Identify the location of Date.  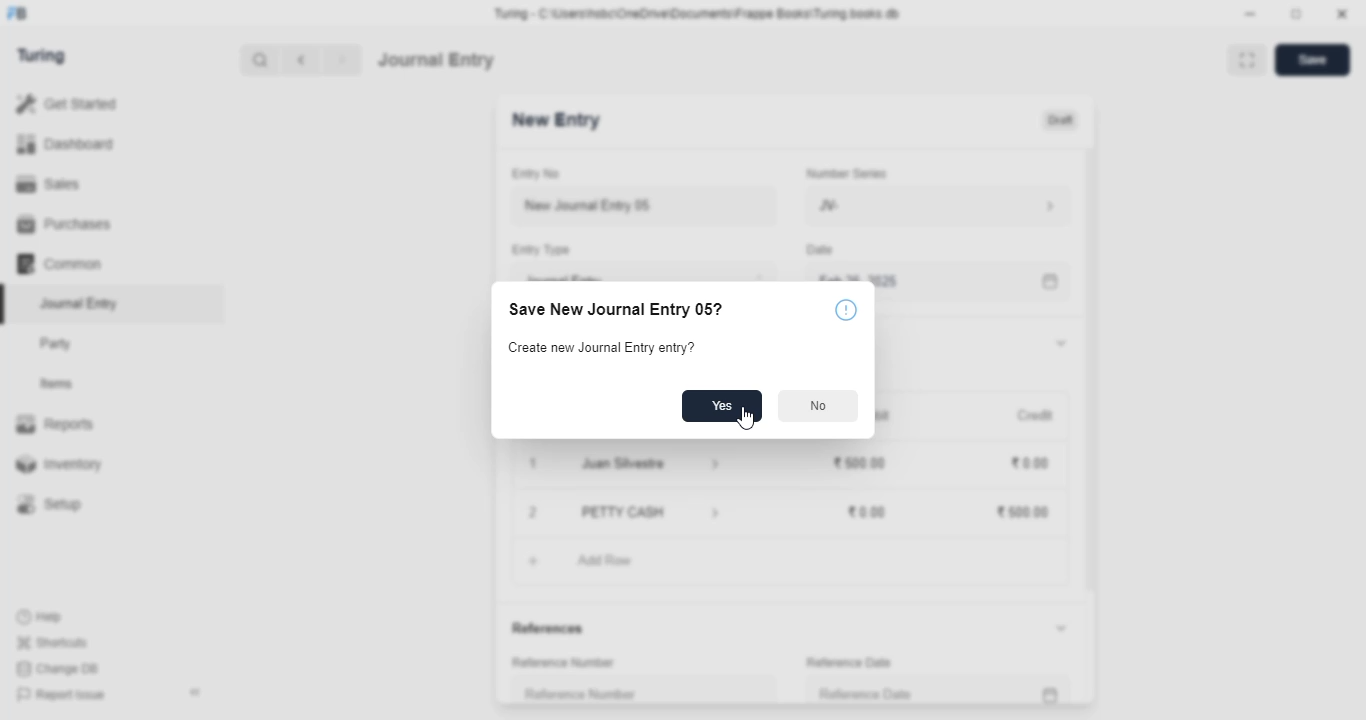
(821, 250).